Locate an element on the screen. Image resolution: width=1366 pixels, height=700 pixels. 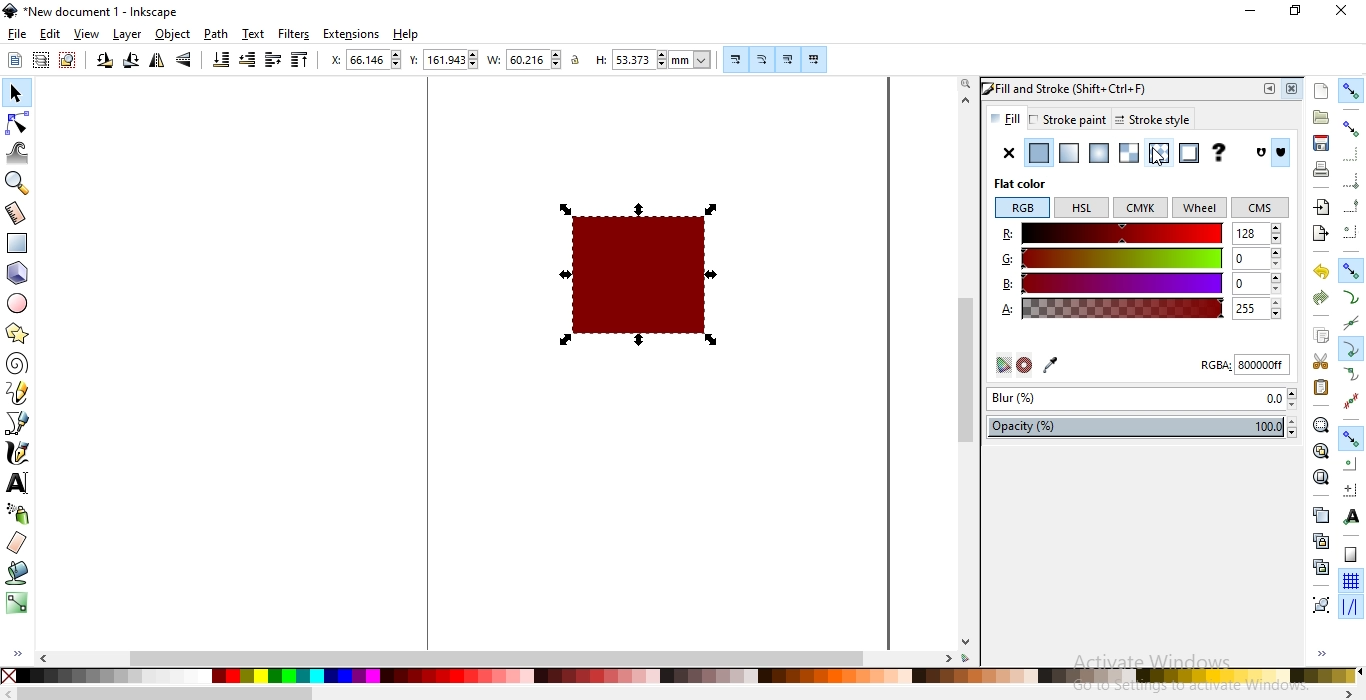
opacity is located at coordinates (1146, 427).